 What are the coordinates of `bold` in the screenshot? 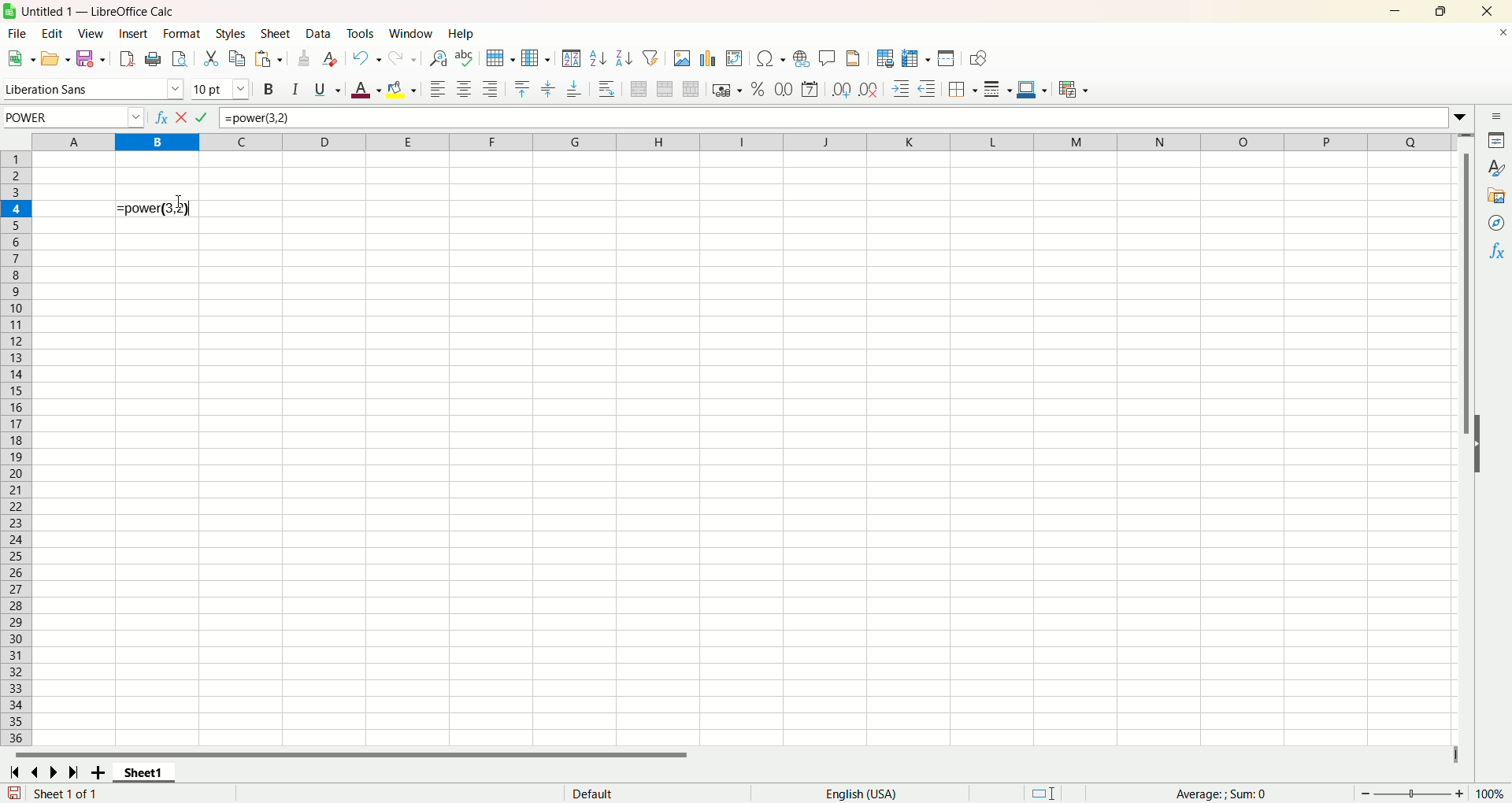 It's located at (267, 91).